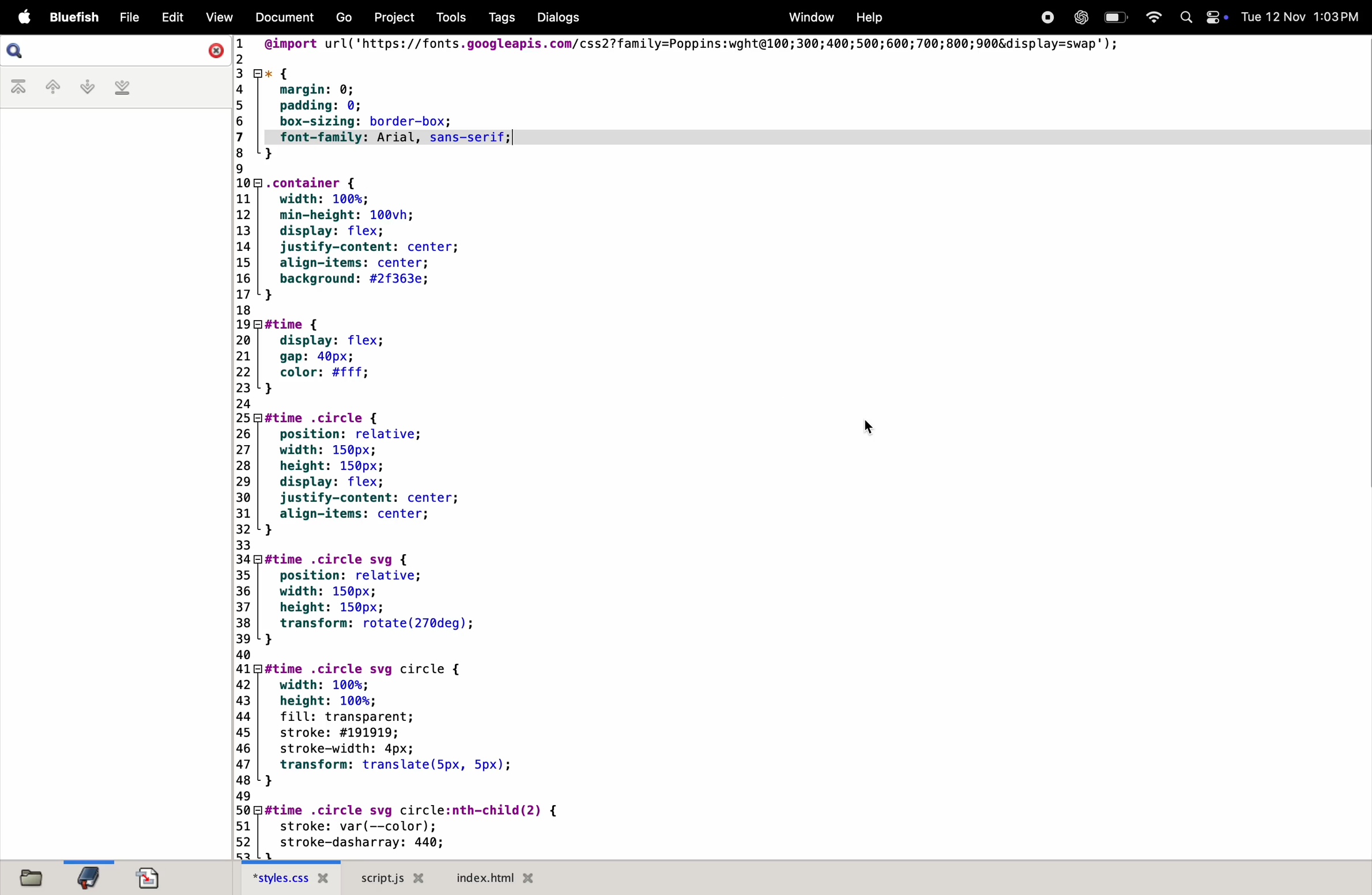  What do you see at coordinates (1043, 17) in the screenshot?
I see `recorder` at bounding box center [1043, 17].